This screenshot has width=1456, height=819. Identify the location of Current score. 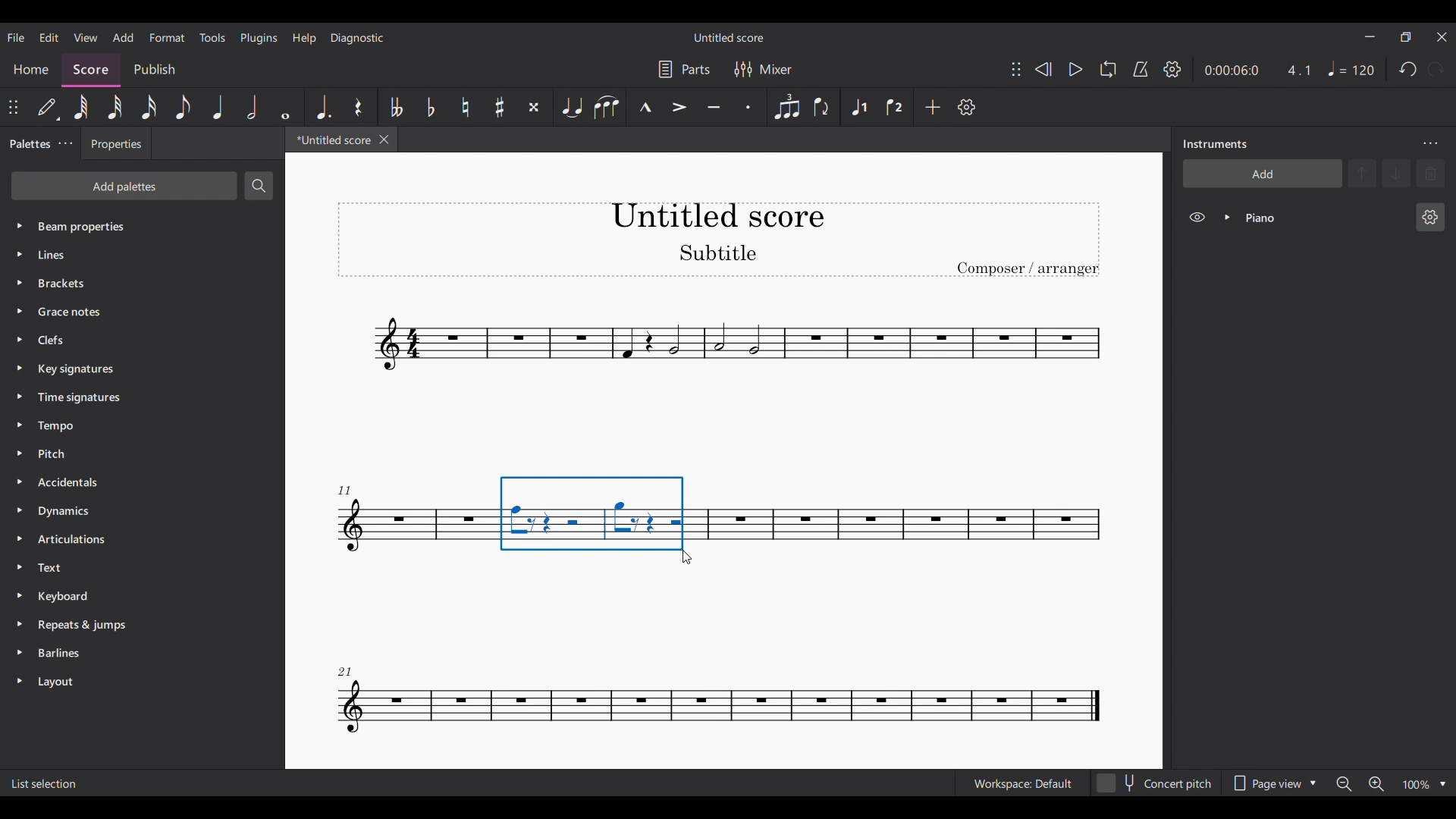
(723, 372).